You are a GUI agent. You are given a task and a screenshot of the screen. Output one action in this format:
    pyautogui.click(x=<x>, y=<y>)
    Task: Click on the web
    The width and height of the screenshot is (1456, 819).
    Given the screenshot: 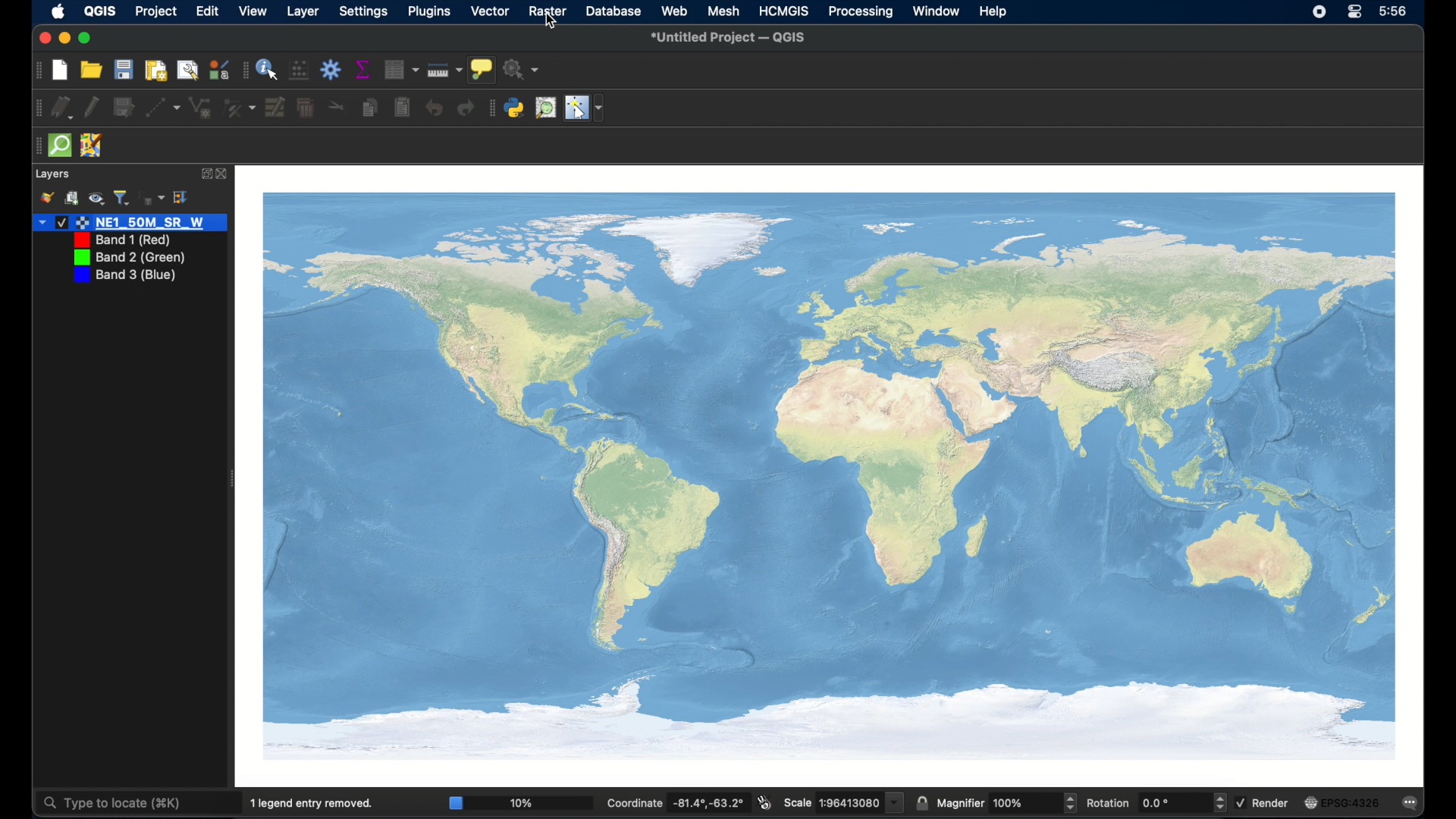 What is the action you would take?
    pyautogui.click(x=675, y=11)
    